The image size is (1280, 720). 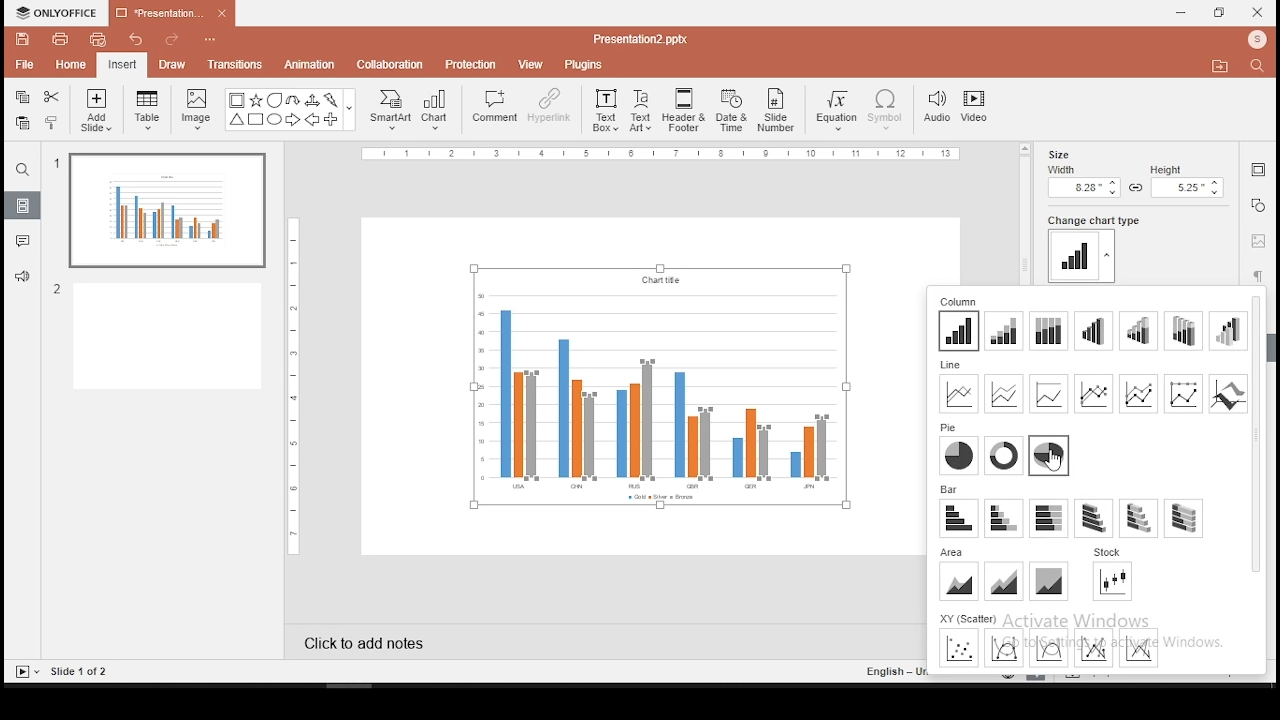 What do you see at coordinates (1258, 275) in the screenshot?
I see `paragraph settings` at bounding box center [1258, 275].